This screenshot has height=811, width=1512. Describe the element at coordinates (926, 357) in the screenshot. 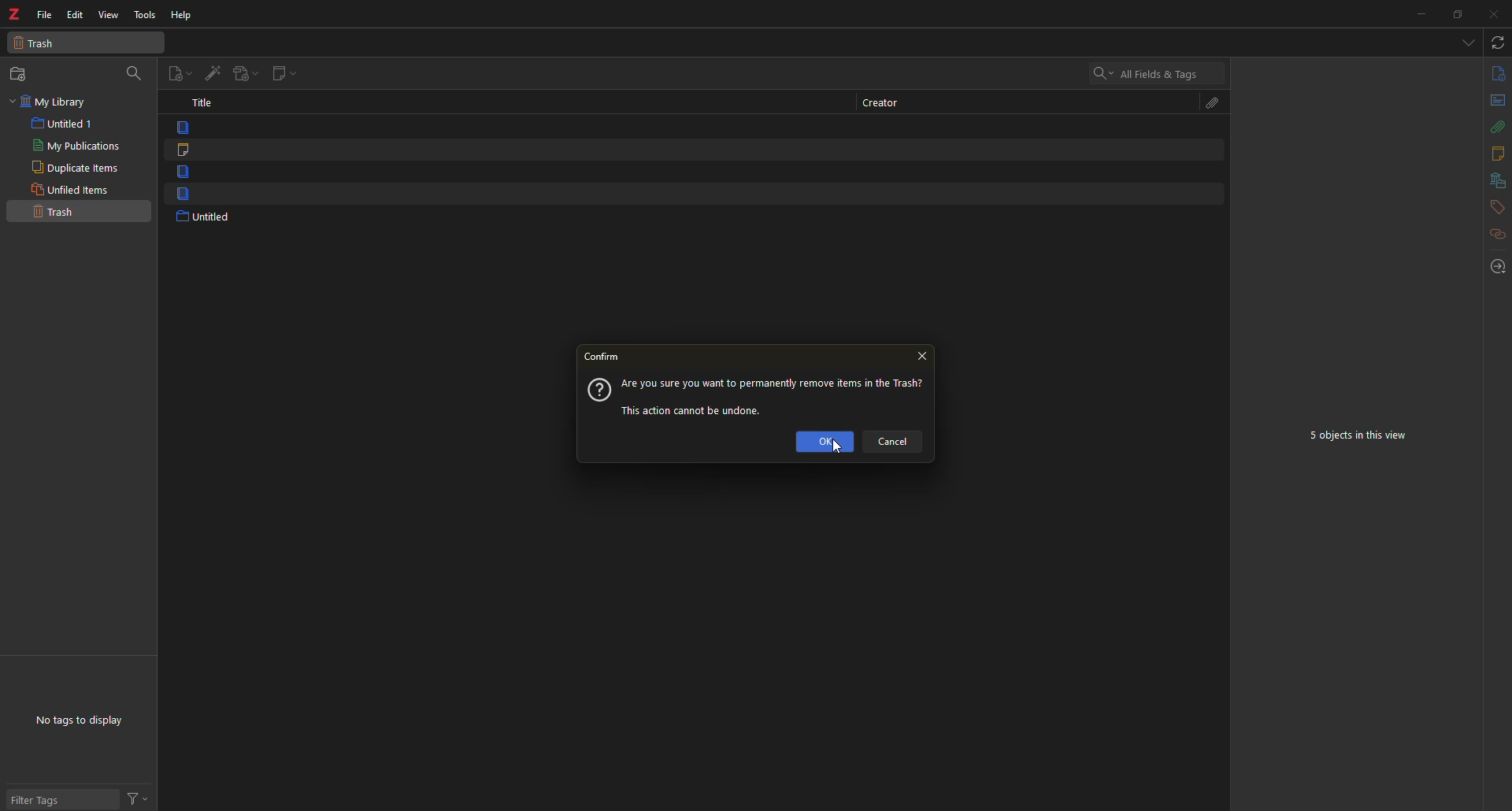

I see `close` at that location.